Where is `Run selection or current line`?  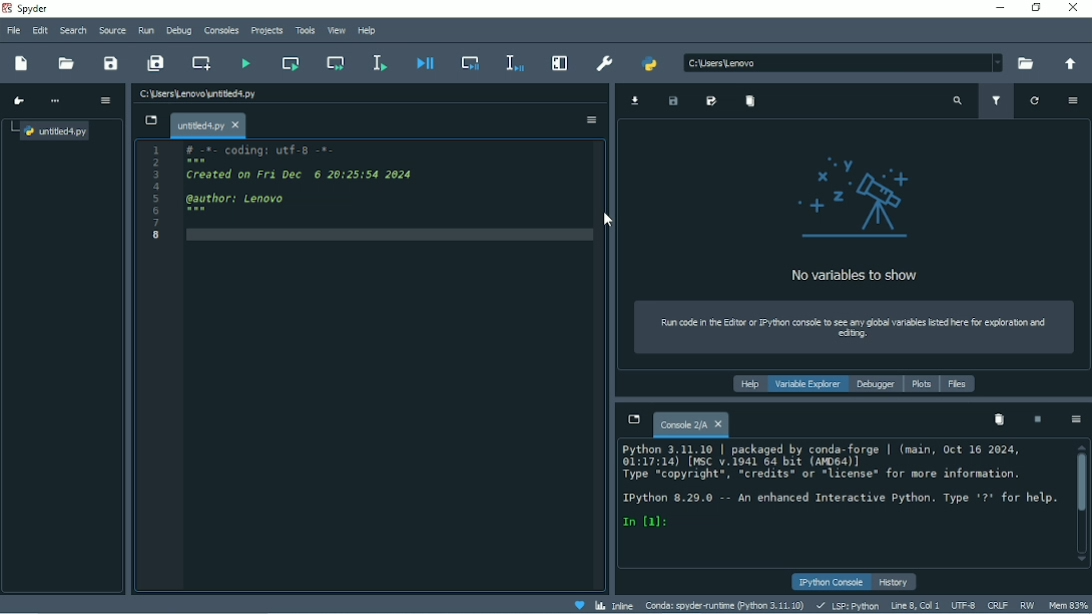 Run selection or current line is located at coordinates (380, 63).